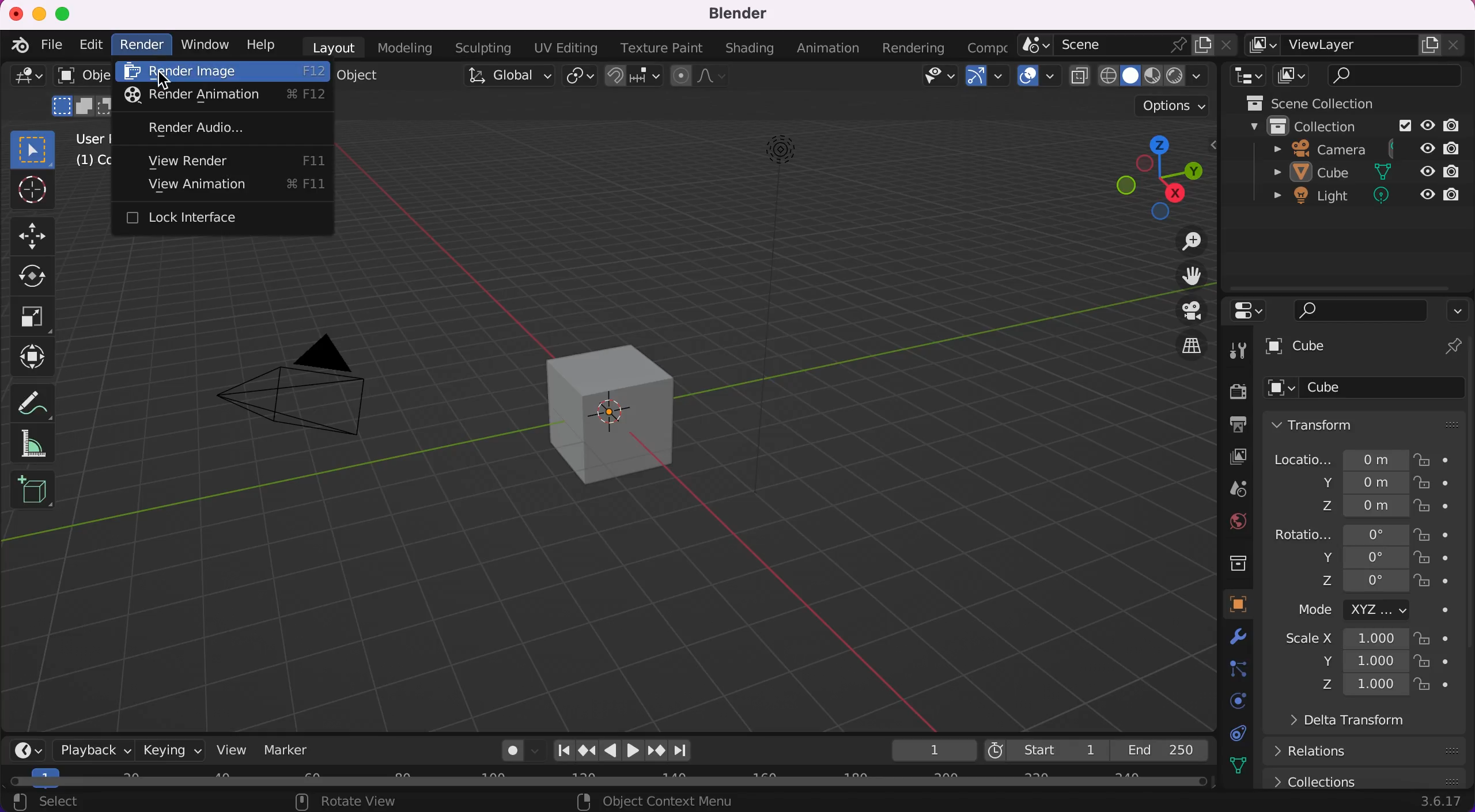 The height and width of the screenshot is (812, 1475). I want to click on toggle x ray, so click(1080, 79).